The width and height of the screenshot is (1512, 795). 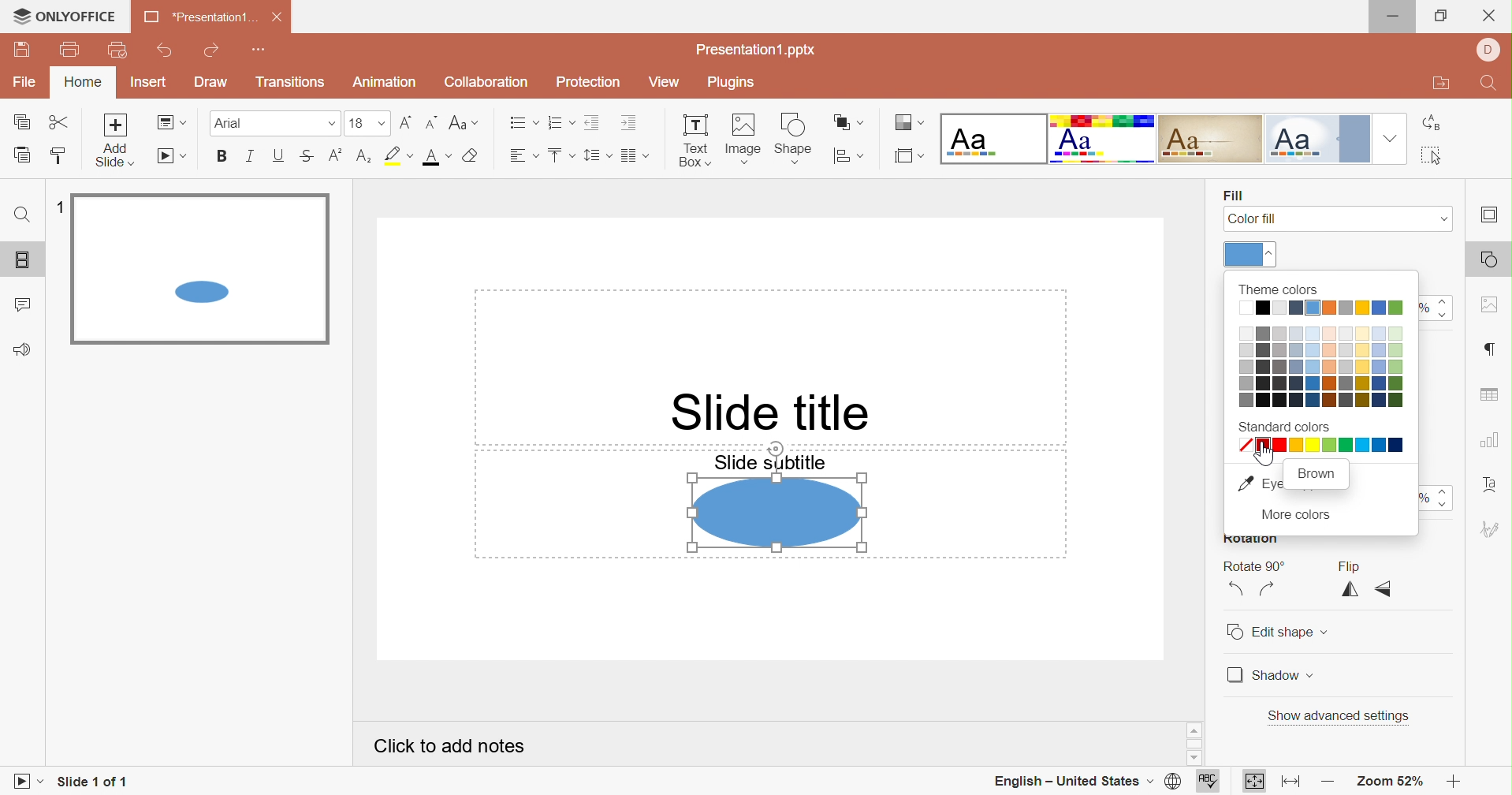 I want to click on ONLYOFFICE, so click(x=61, y=15).